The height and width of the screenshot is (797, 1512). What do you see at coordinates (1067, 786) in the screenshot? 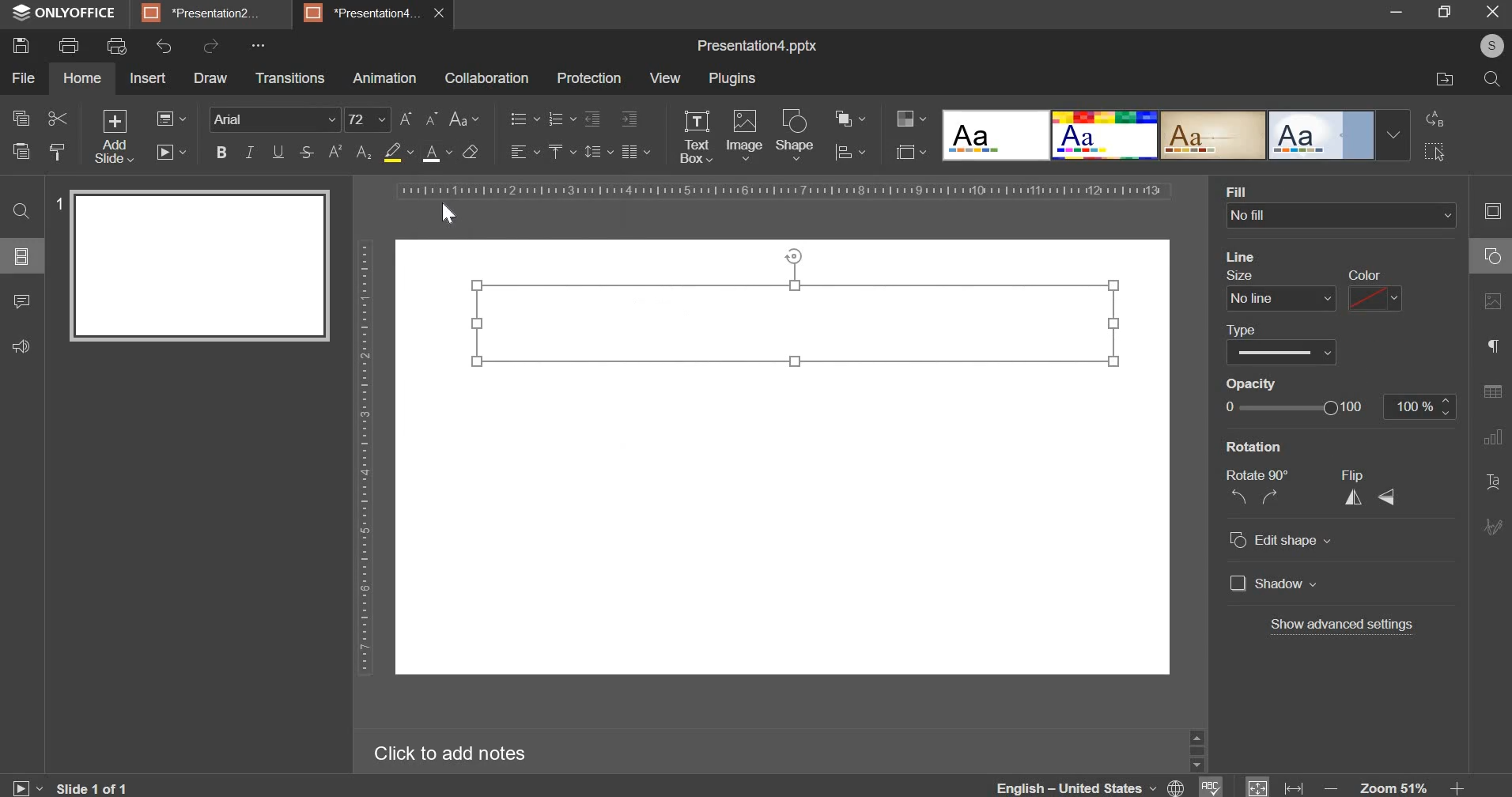
I see `english - united states` at bounding box center [1067, 786].